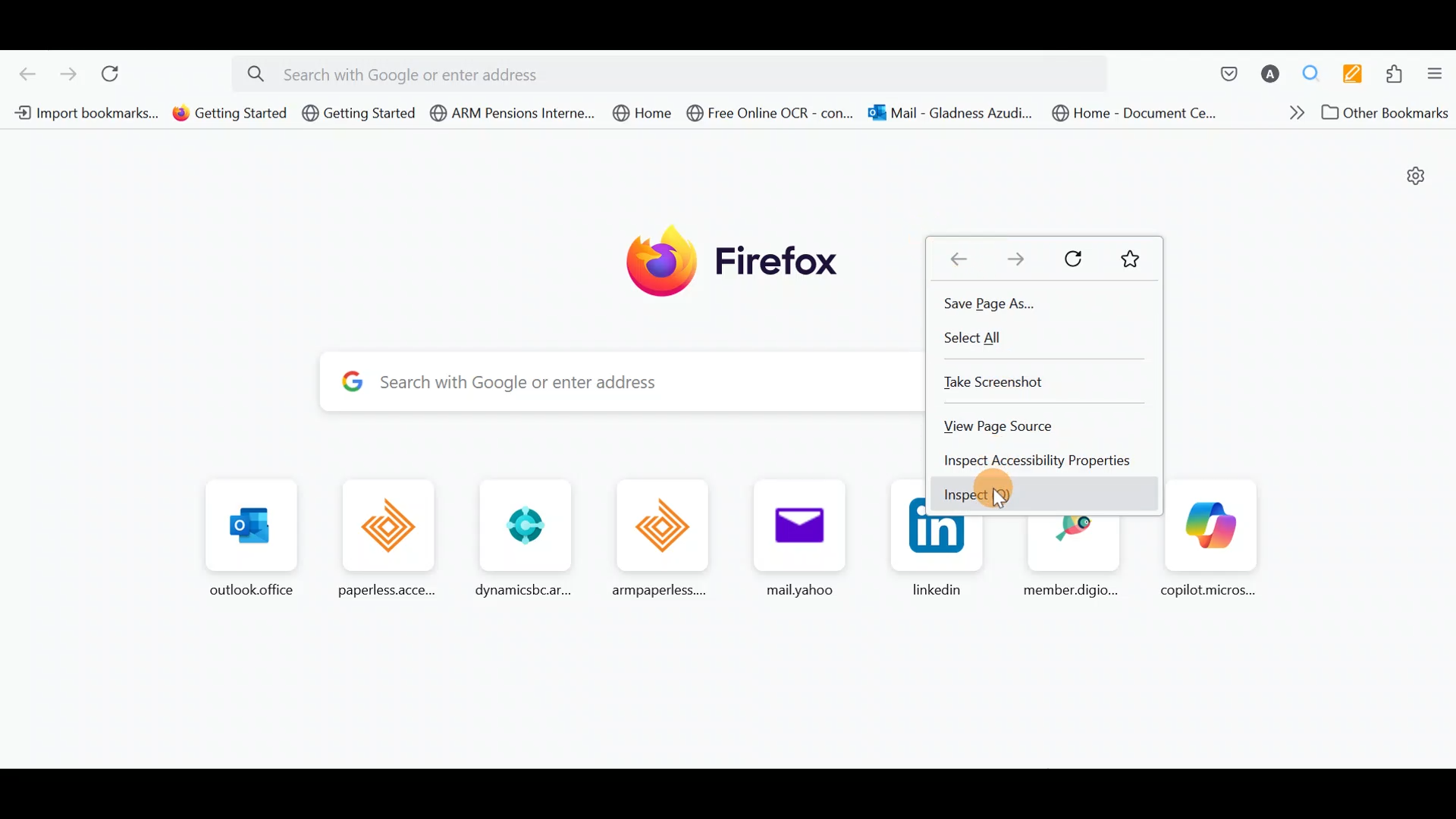  What do you see at coordinates (1386, 115) in the screenshot?
I see `Other bookmarks` at bounding box center [1386, 115].